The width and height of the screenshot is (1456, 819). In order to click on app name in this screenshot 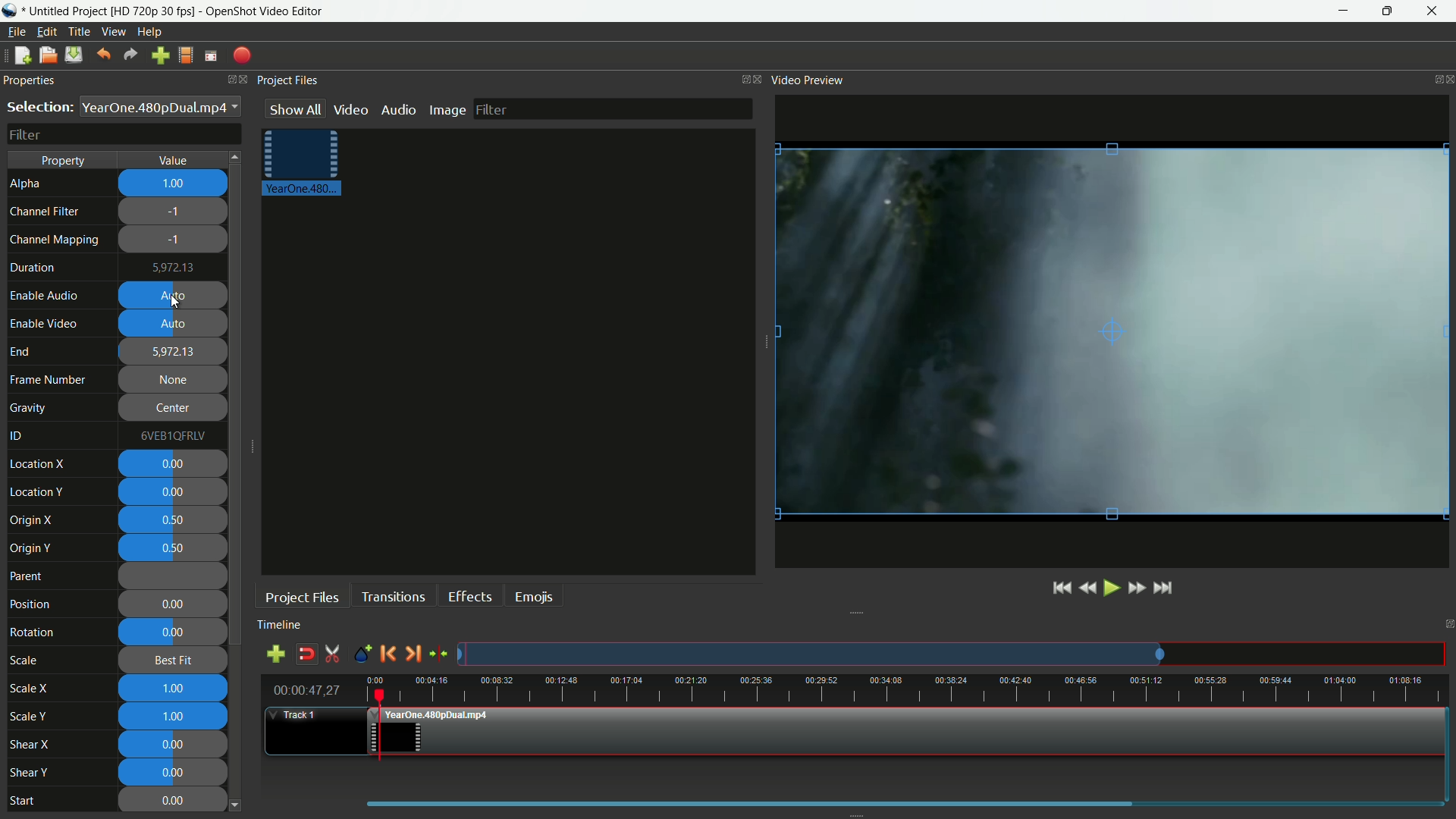, I will do `click(265, 11)`.